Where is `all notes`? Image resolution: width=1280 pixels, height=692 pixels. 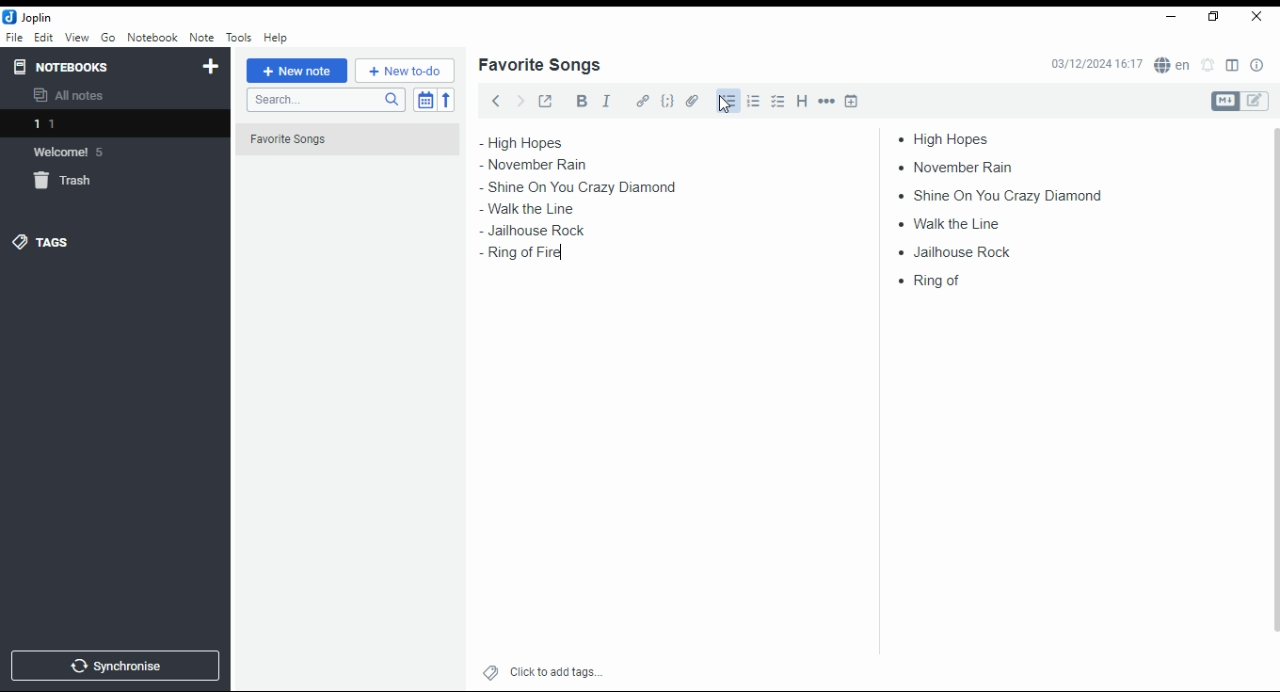 all notes is located at coordinates (74, 96).